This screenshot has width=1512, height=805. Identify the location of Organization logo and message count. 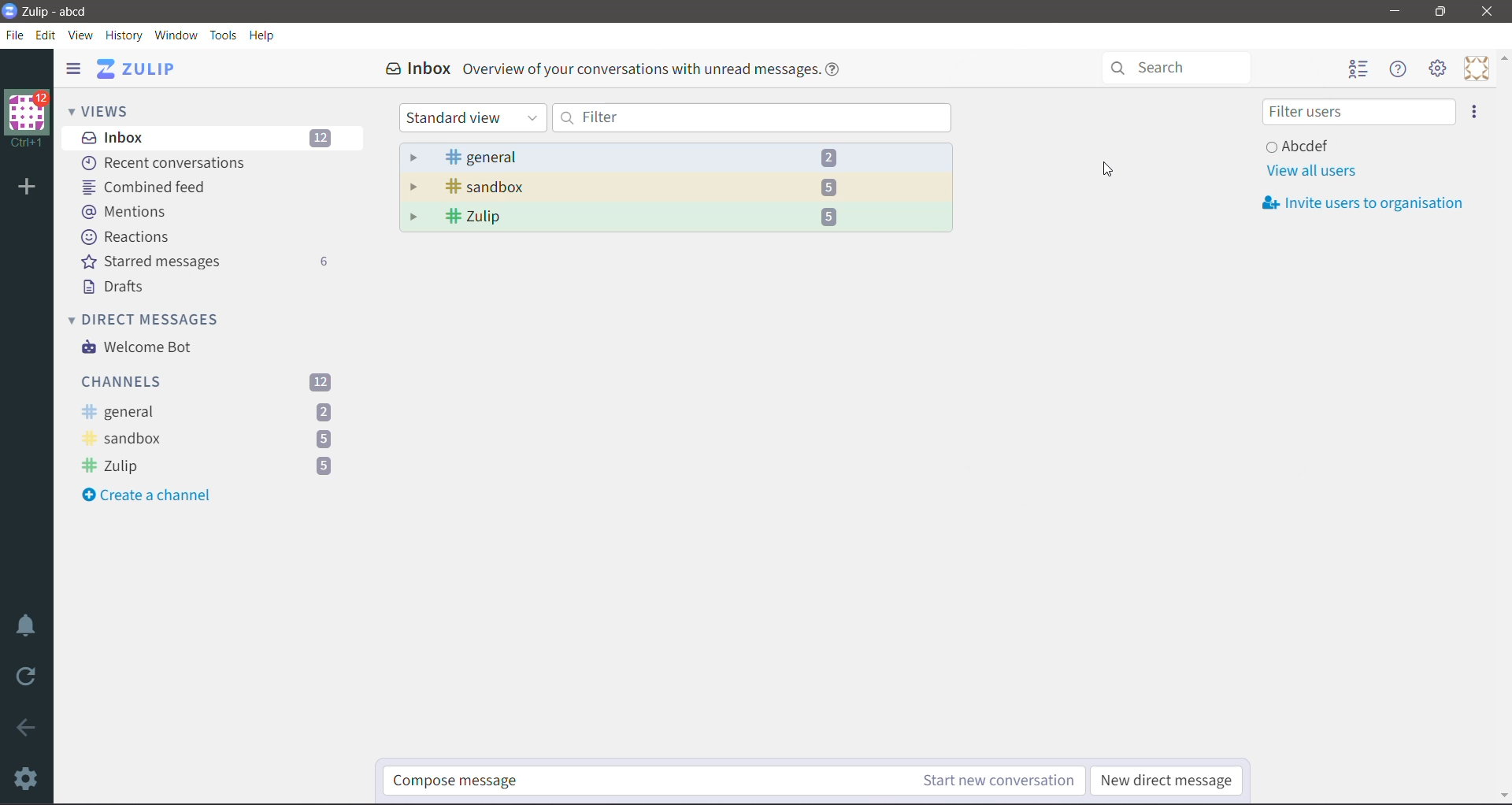
(28, 116).